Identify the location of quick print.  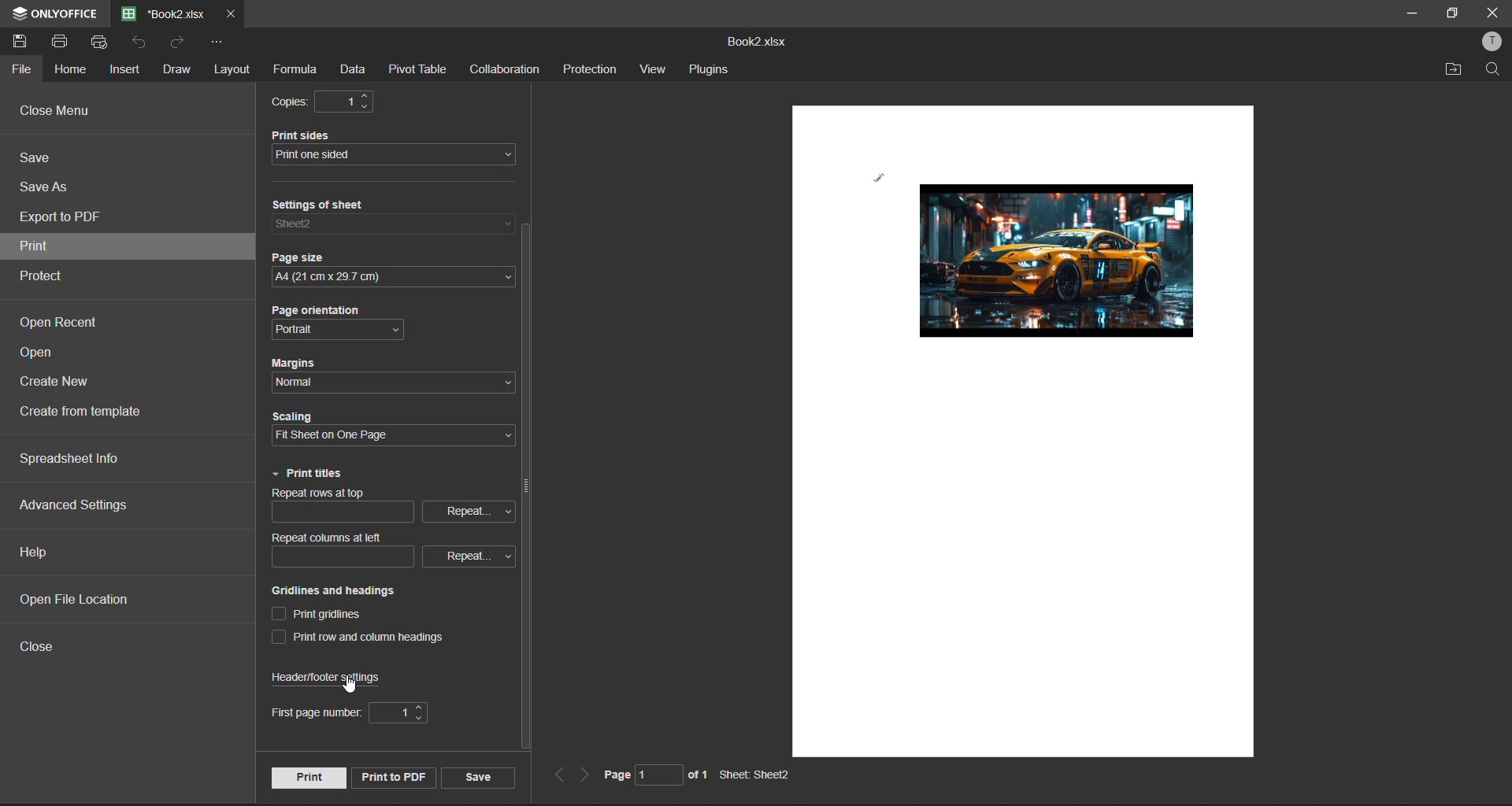
(102, 42).